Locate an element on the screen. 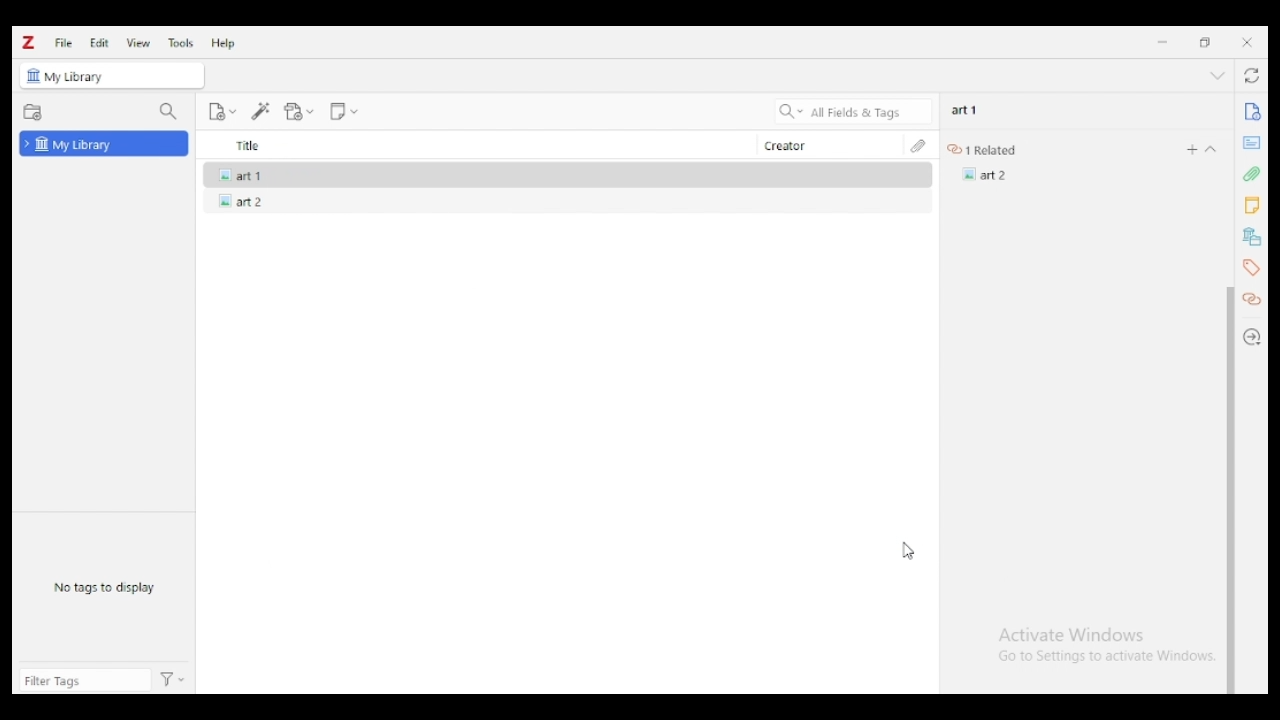 The width and height of the screenshot is (1280, 720). filter collection is located at coordinates (170, 112).